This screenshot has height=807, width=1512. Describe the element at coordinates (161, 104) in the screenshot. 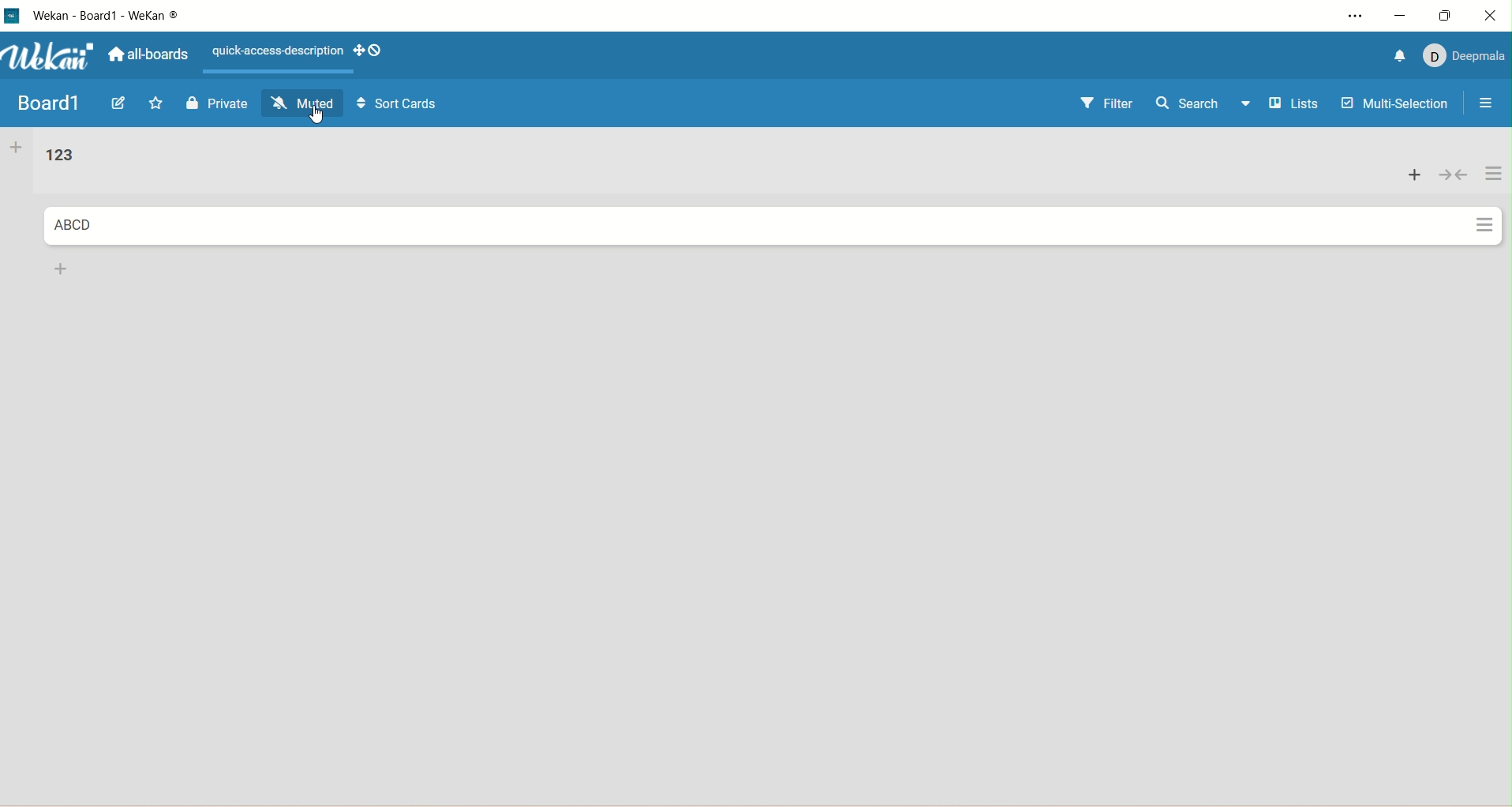

I see `favorite` at that location.